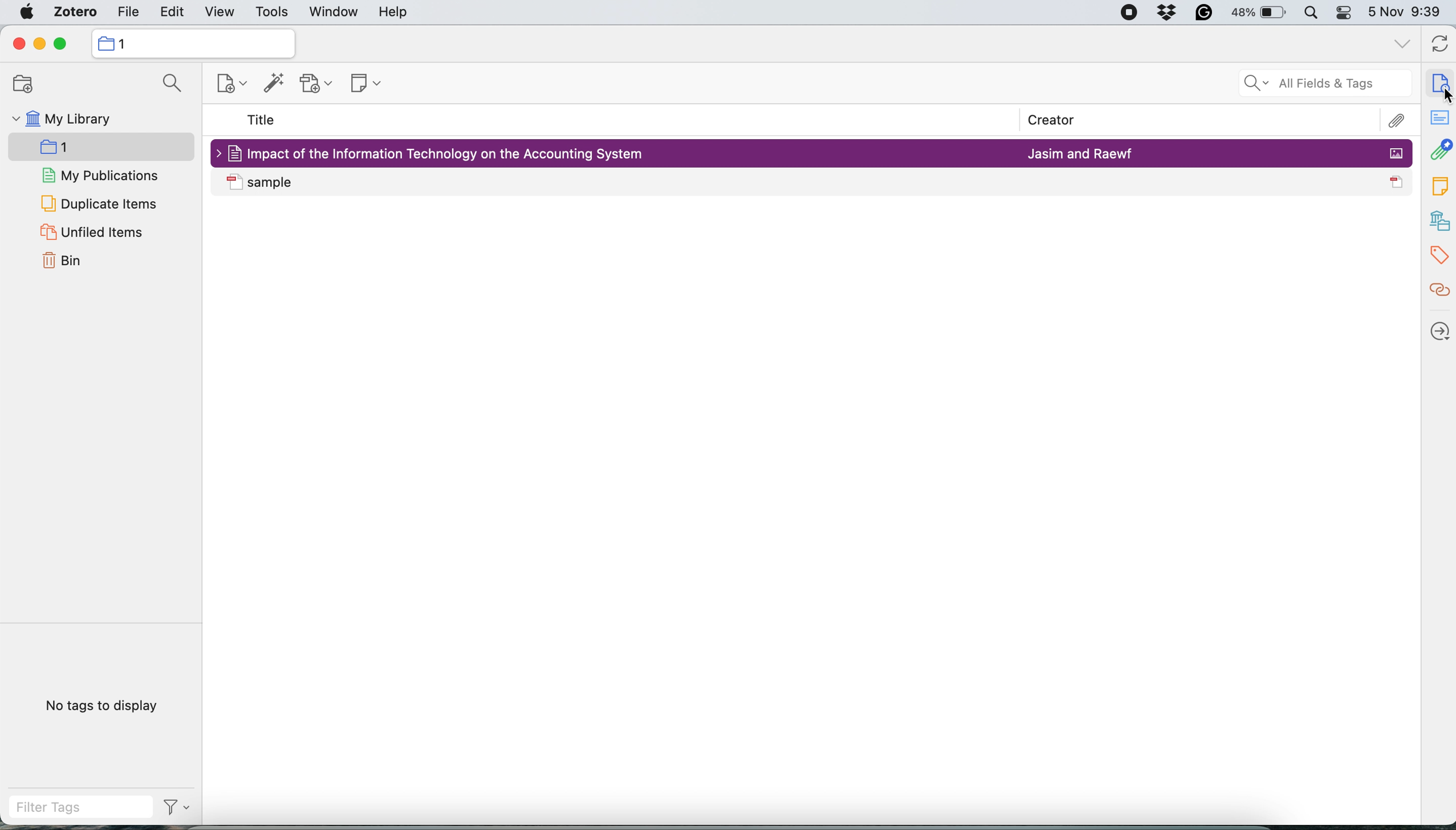 The image size is (1456, 830). Describe the element at coordinates (125, 44) in the screenshot. I see `1` at that location.